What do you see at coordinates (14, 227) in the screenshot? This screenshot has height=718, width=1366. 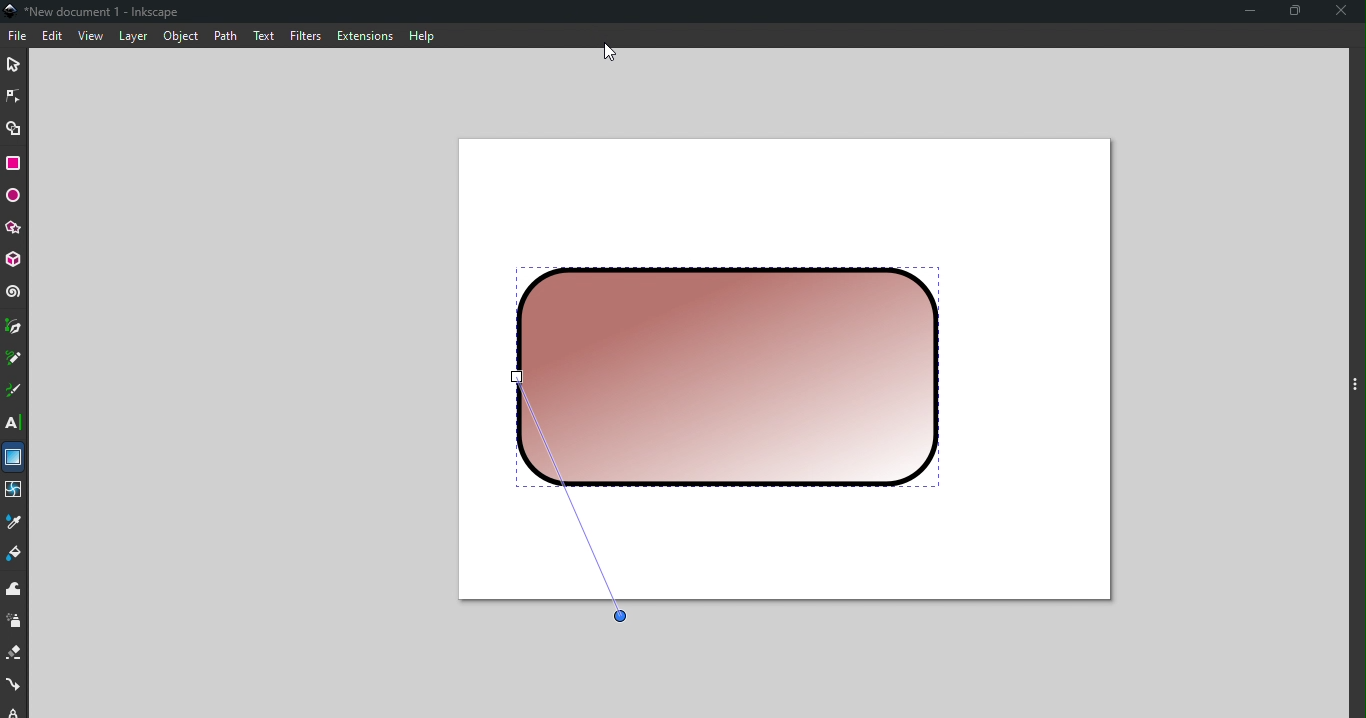 I see `star/polygon tool` at bounding box center [14, 227].